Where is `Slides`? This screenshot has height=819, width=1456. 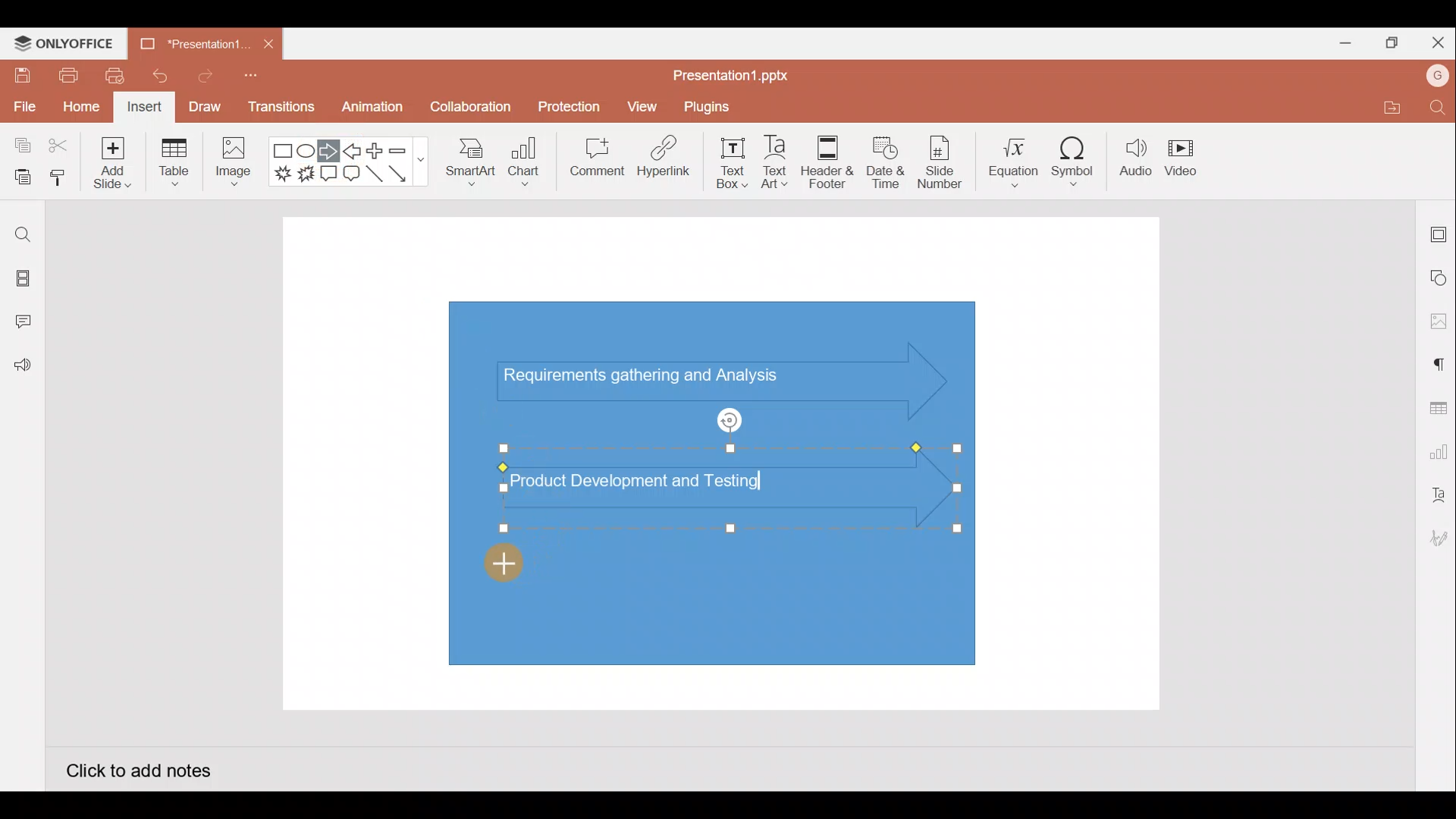 Slides is located at coordinates (21, 281).